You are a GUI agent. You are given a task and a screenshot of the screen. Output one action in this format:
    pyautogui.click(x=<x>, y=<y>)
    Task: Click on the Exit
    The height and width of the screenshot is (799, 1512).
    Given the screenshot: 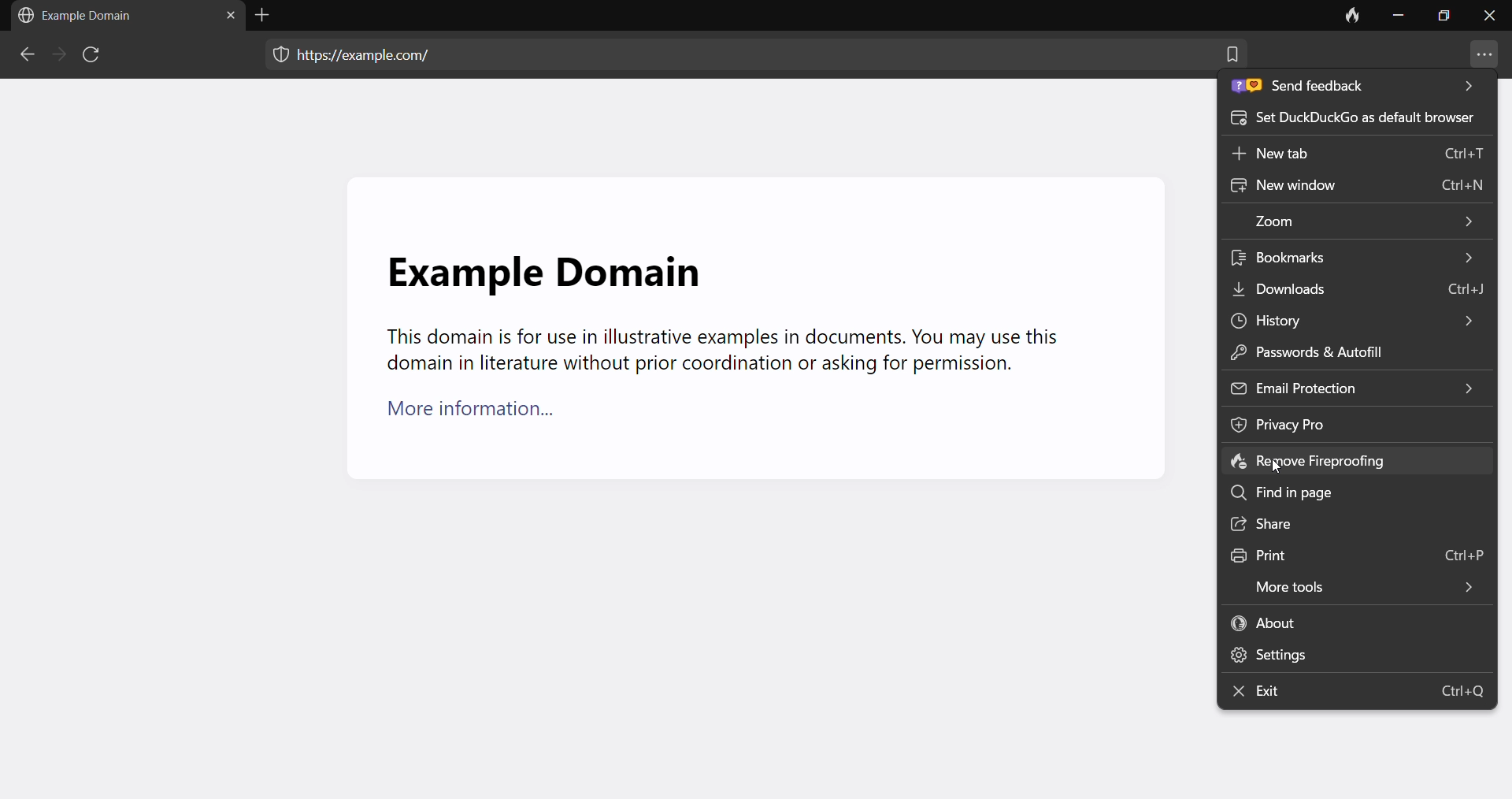 What is the action you would take?
    pyautogui.click(x=1358, y=692)
    